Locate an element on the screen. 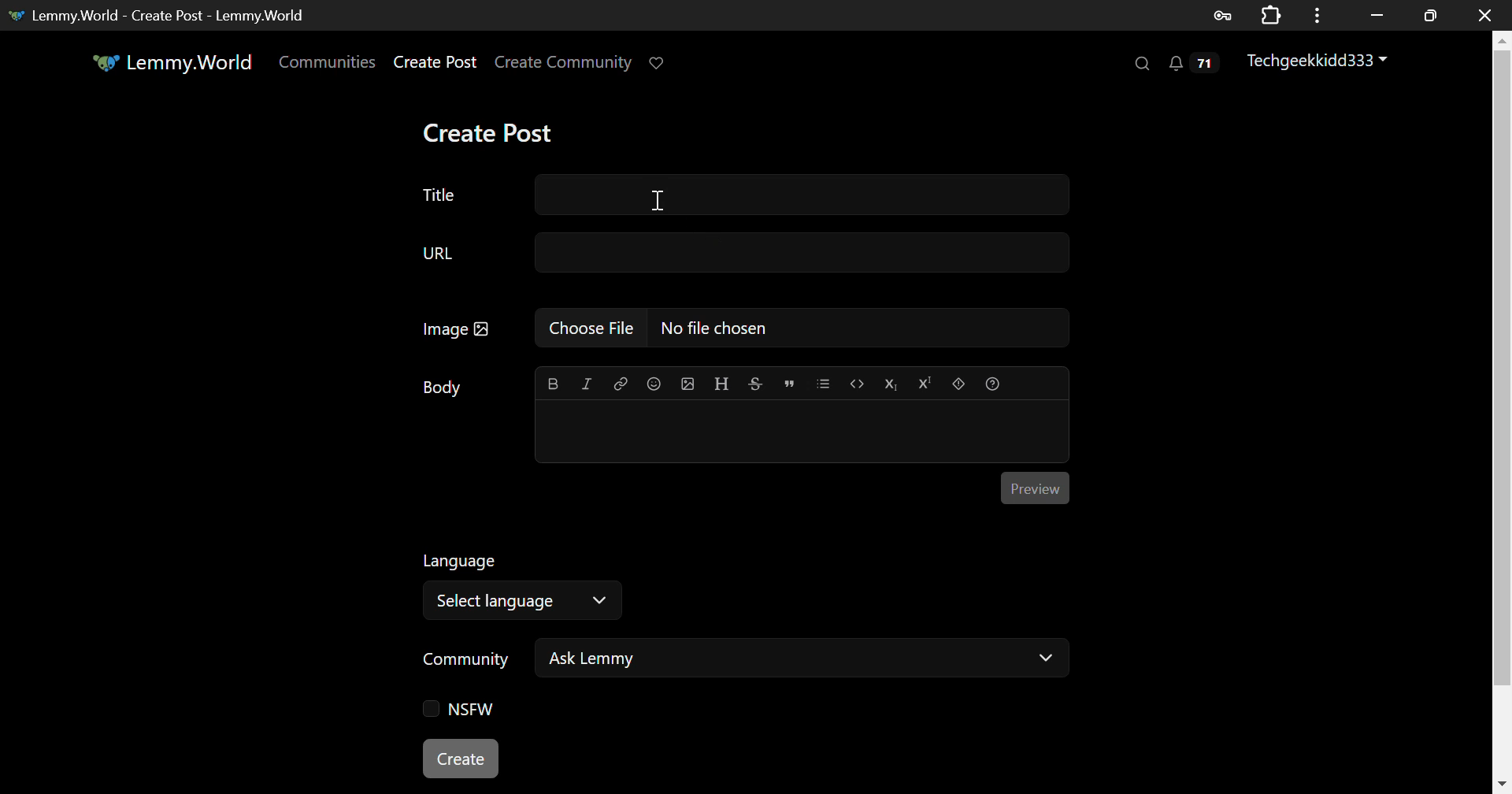  Image Field is located at coordinates (738, 334).